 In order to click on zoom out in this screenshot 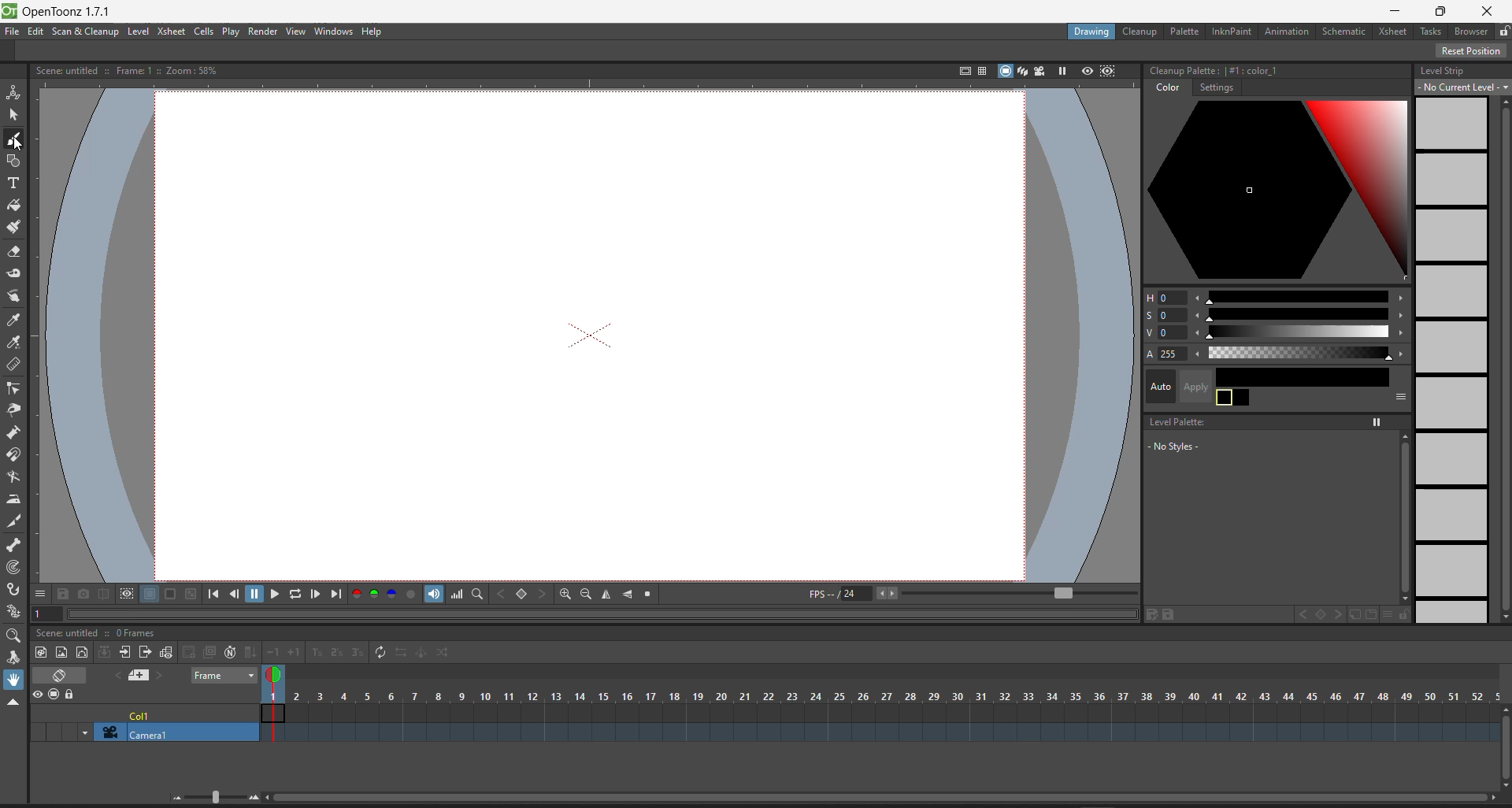, I will do `click(175, 801)`.